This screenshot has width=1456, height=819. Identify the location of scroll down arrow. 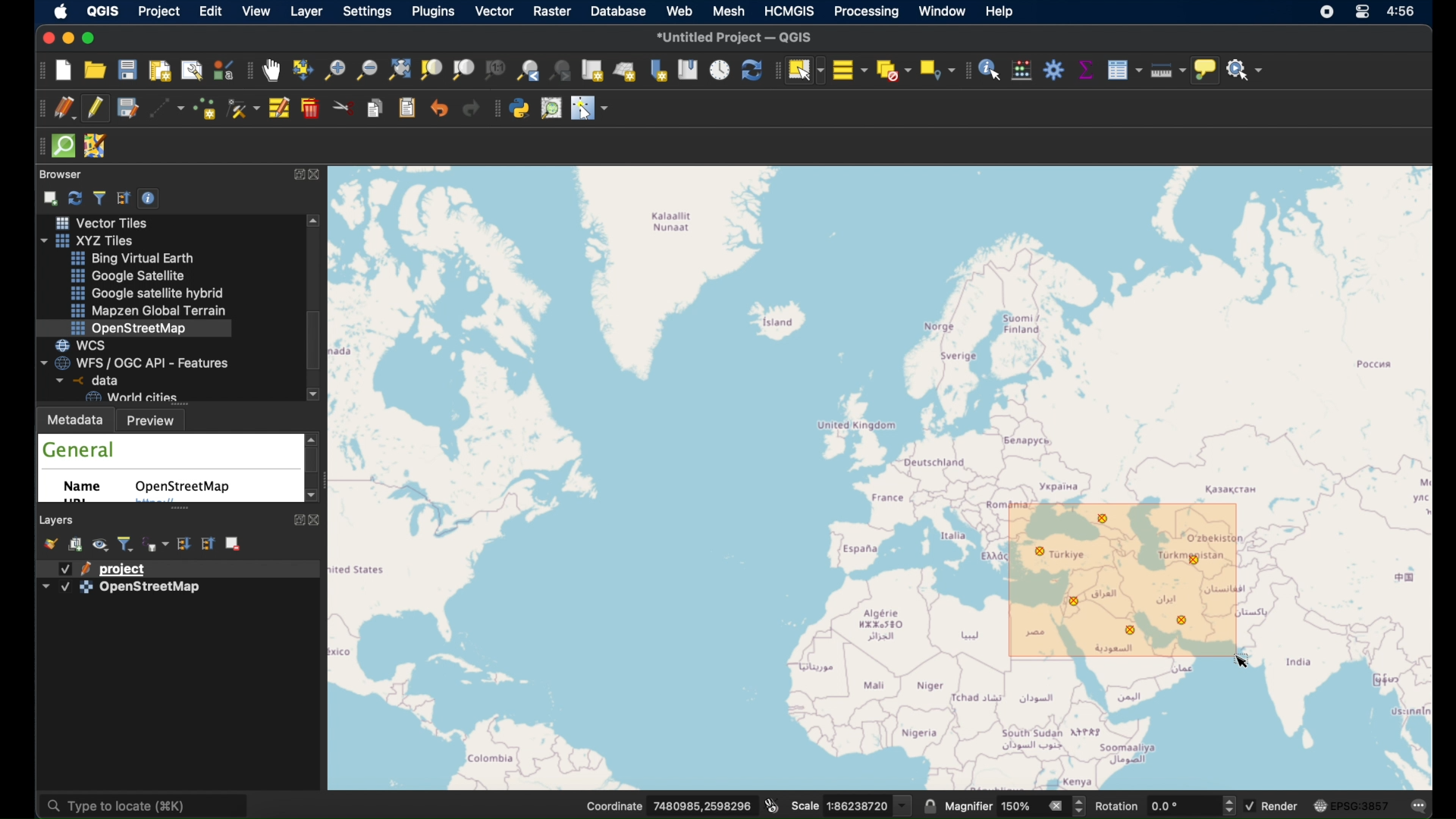
(309, 497).